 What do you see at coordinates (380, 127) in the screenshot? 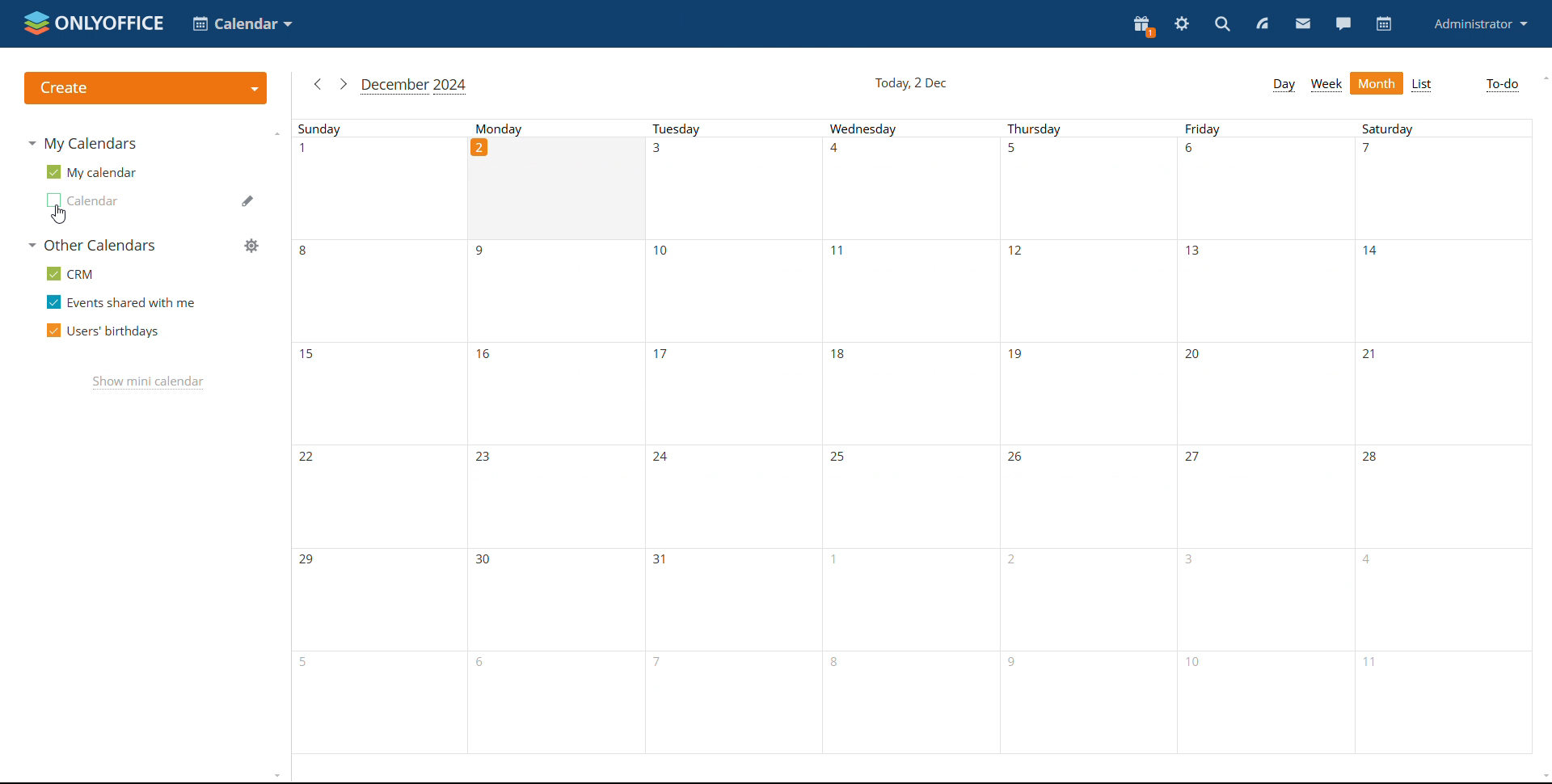
I see `sunday` at bounding box center [380, 127].